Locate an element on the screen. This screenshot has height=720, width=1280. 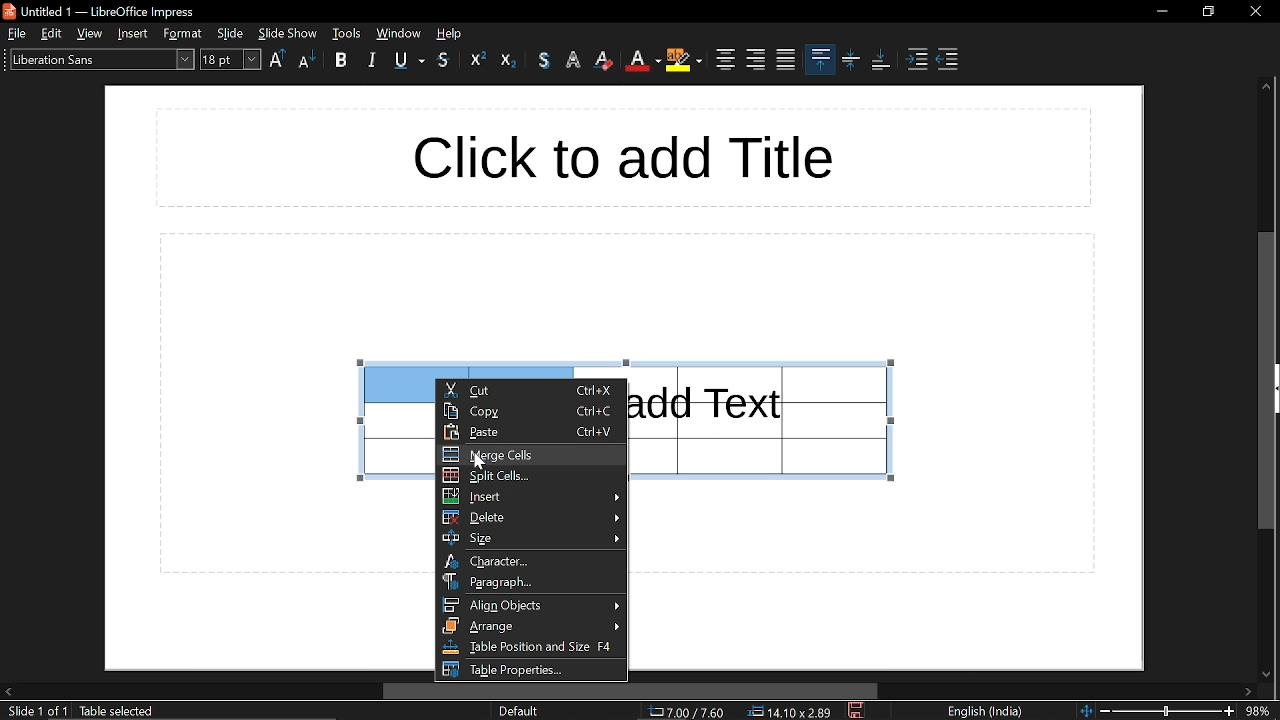
underline is located at coordinates (410, 62).